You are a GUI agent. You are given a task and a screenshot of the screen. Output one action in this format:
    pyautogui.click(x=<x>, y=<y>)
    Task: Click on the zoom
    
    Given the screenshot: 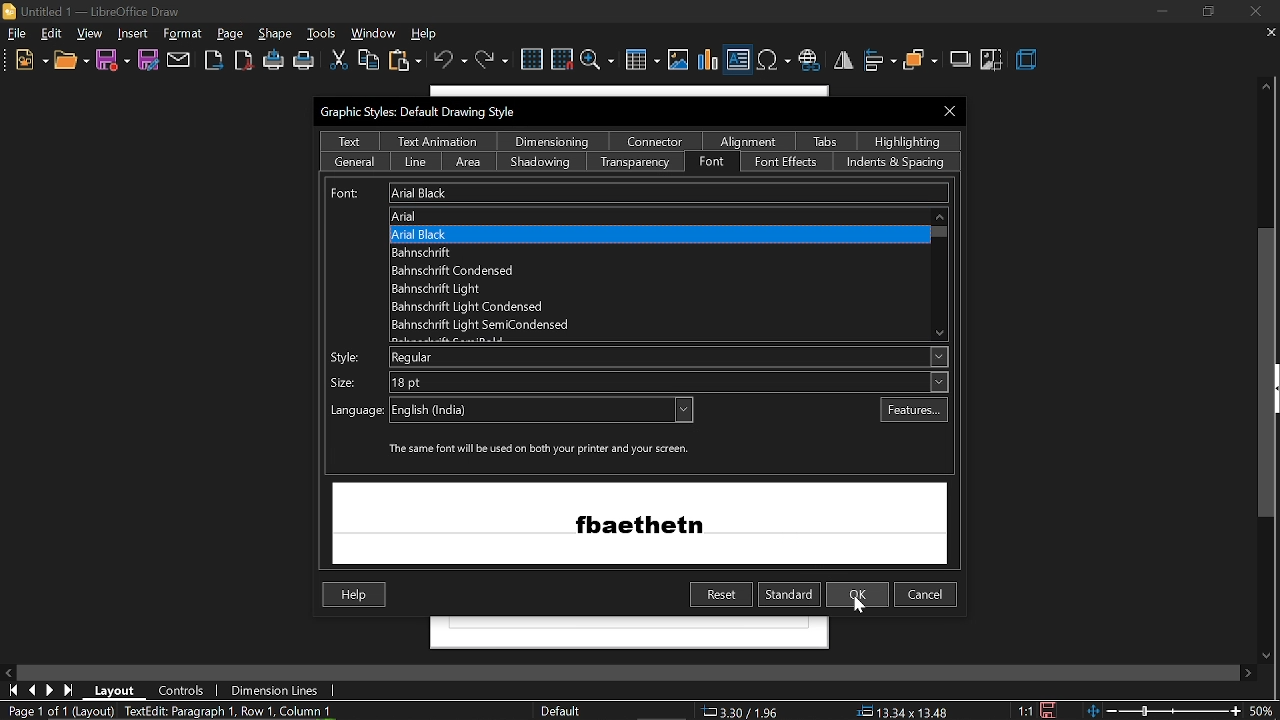 What is the action you would take?
    pyautogui.click(x=598, y=59)
    